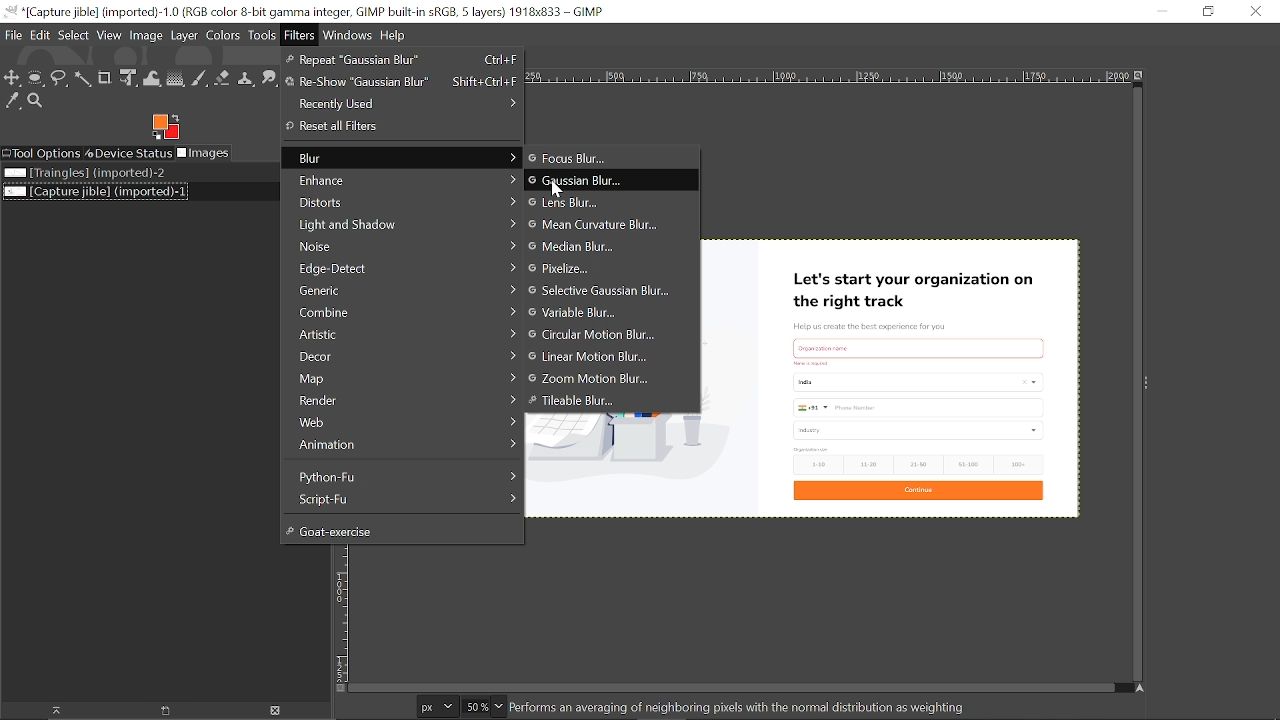 The width and height of the screenshot is (1280, 720). What do you see at coordinates (399, 530) in the screenshot?
I see `Goat-excercise` at bounding box center [399, 530].